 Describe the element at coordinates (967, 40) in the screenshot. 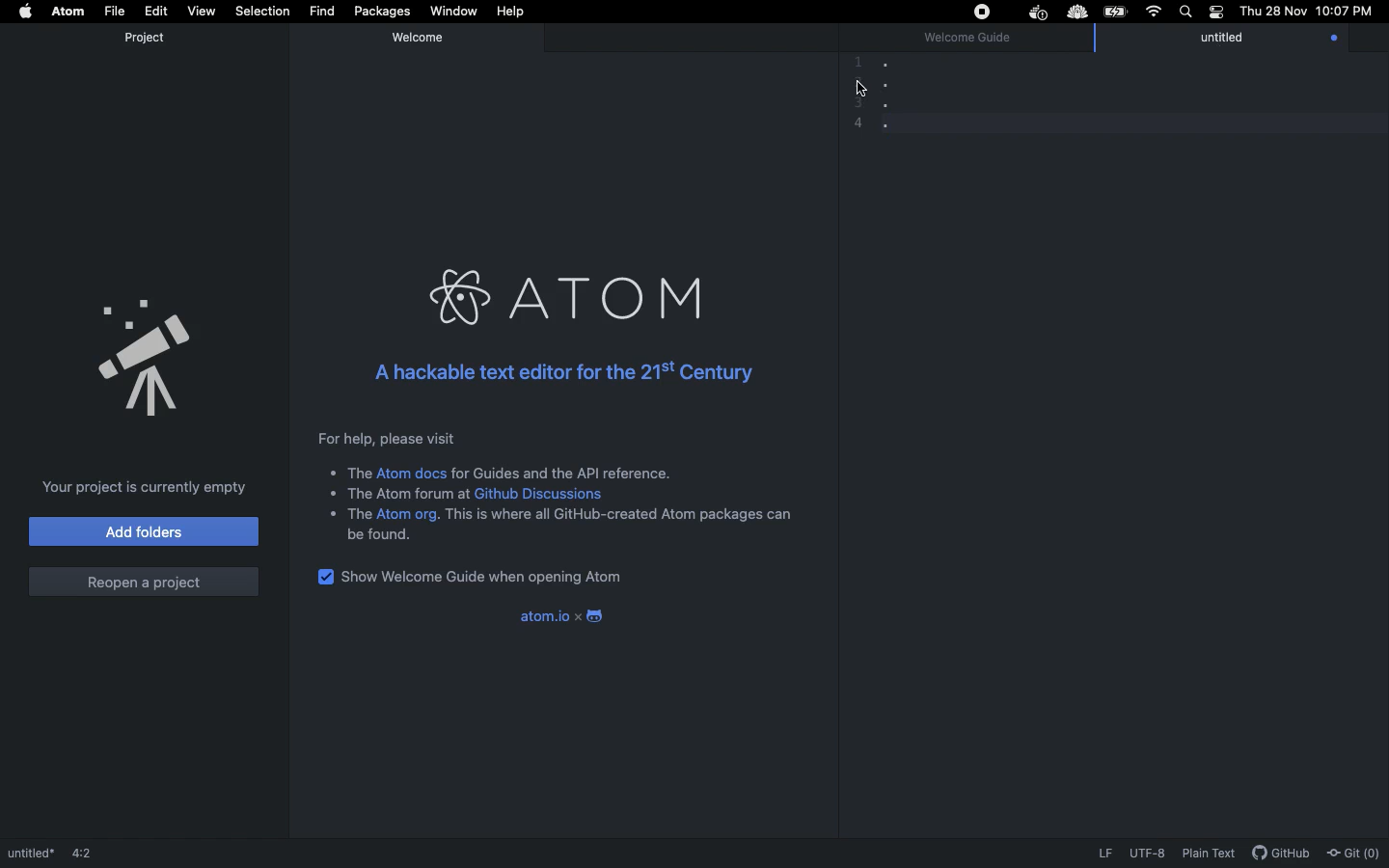

I see `Welcome guide` at that location.